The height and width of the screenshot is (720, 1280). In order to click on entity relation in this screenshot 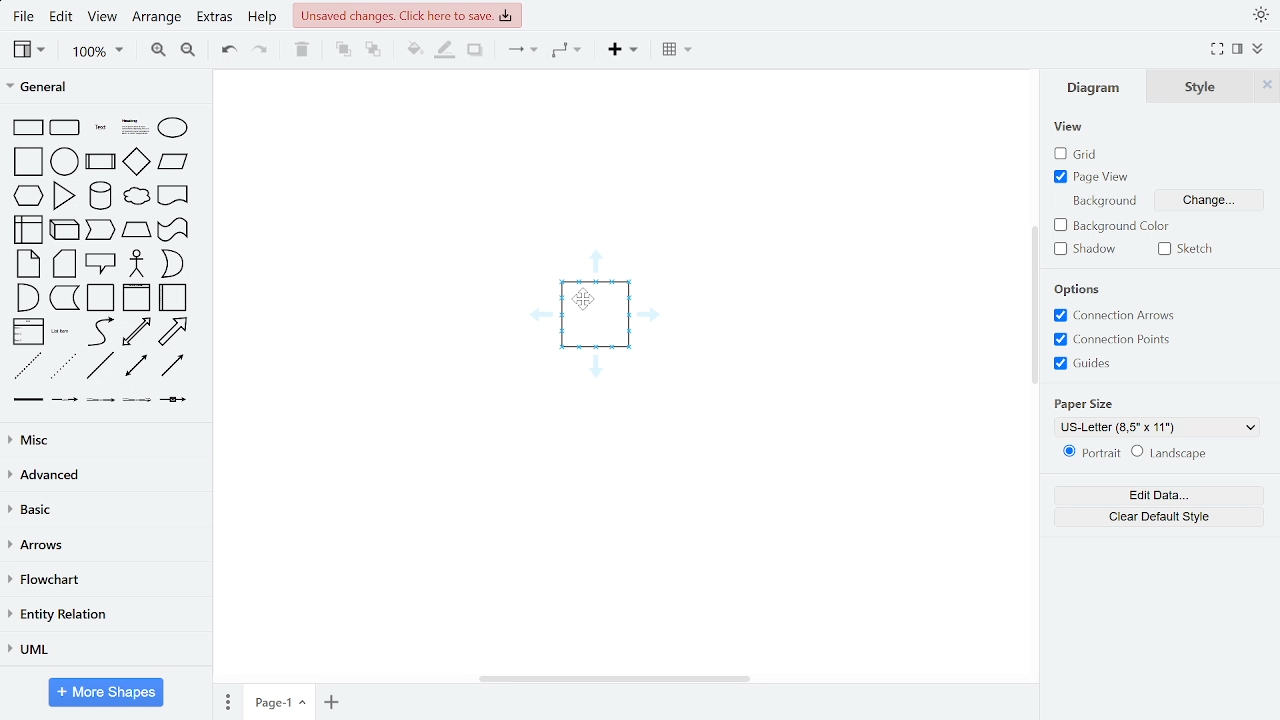, I will do `click(103, 614)`.